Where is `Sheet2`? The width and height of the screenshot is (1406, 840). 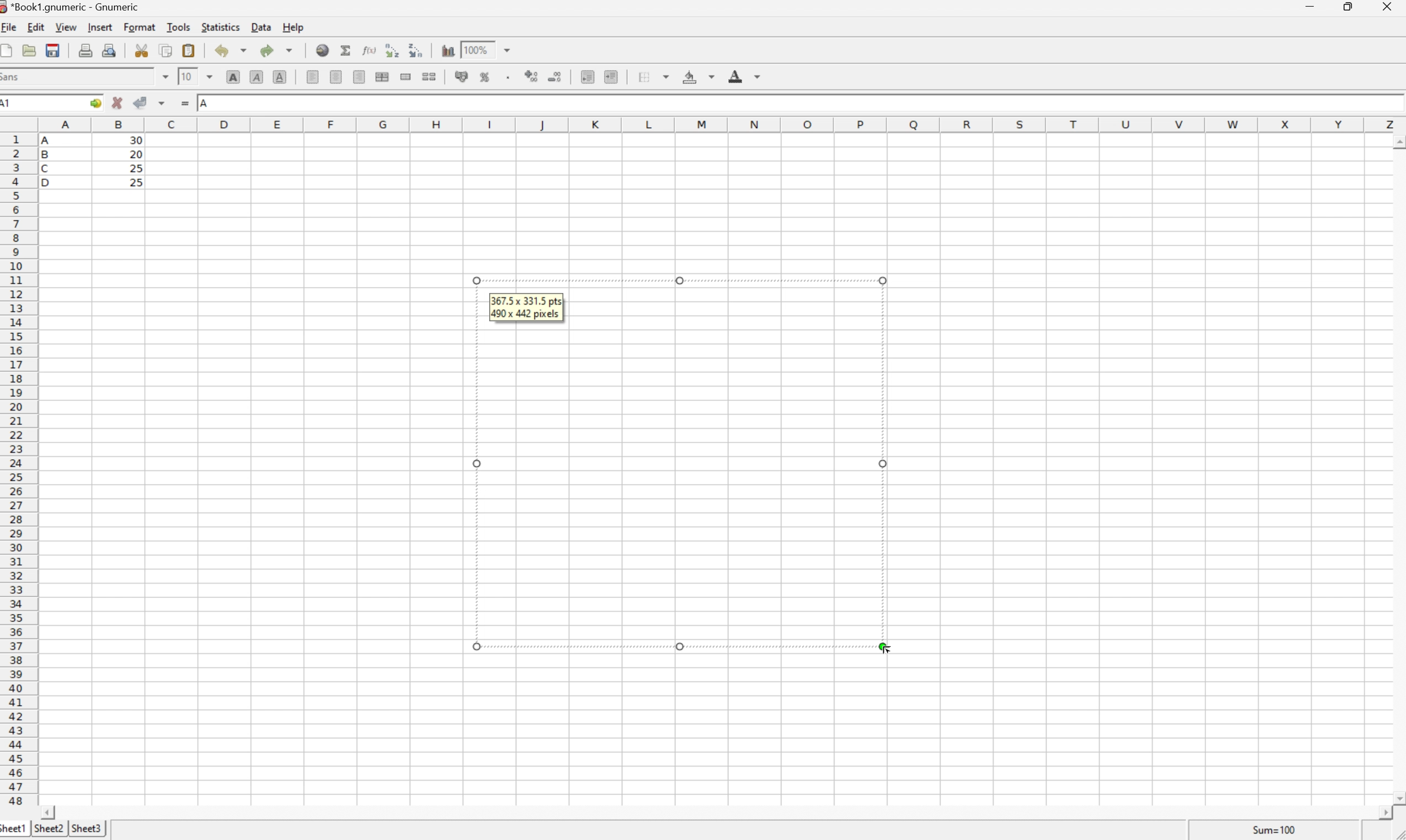
Sheet2 is located at coordinates (49, 829).